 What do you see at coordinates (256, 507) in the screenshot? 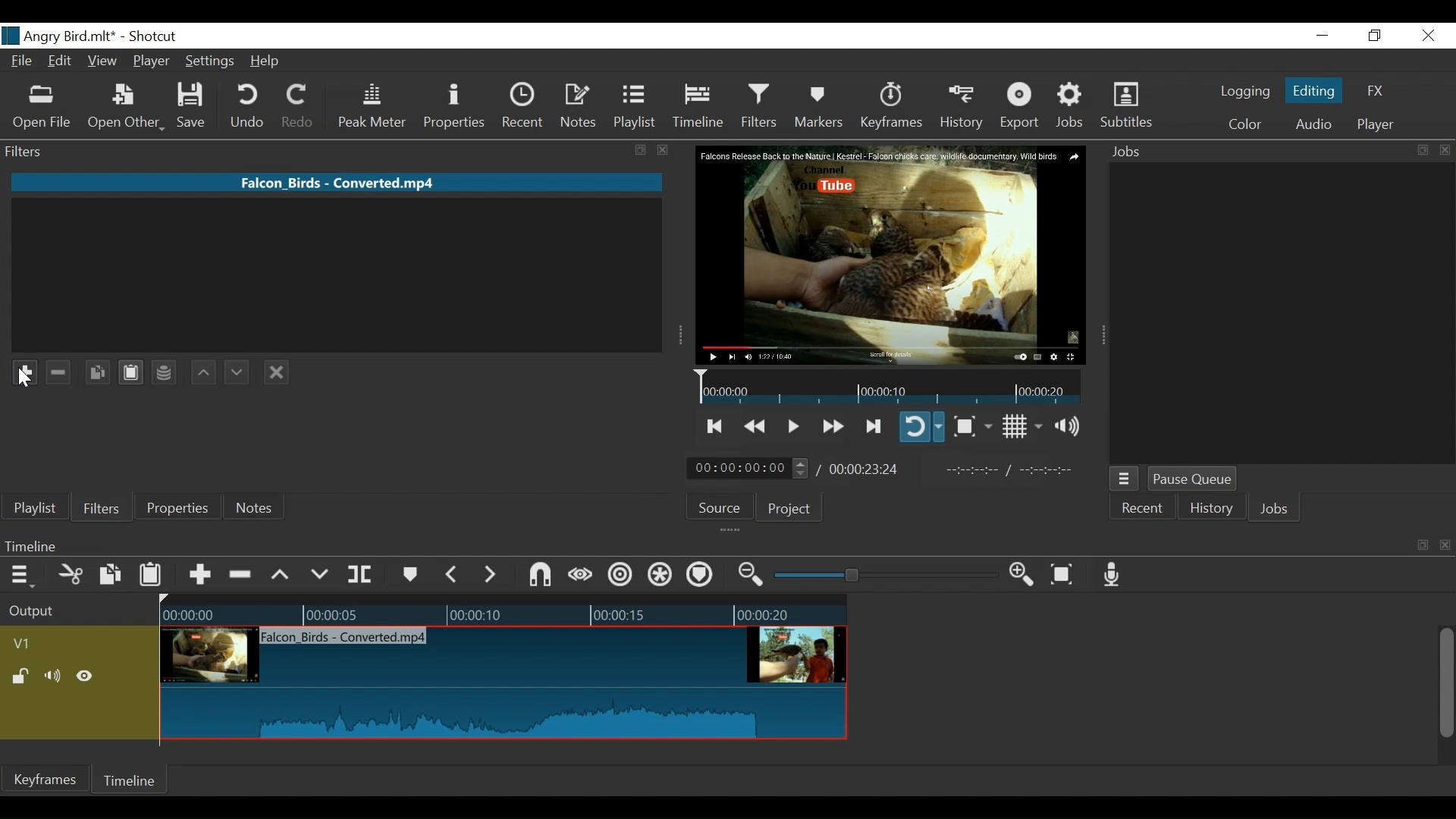
I see `Notes` at bounding box center [256, 507].